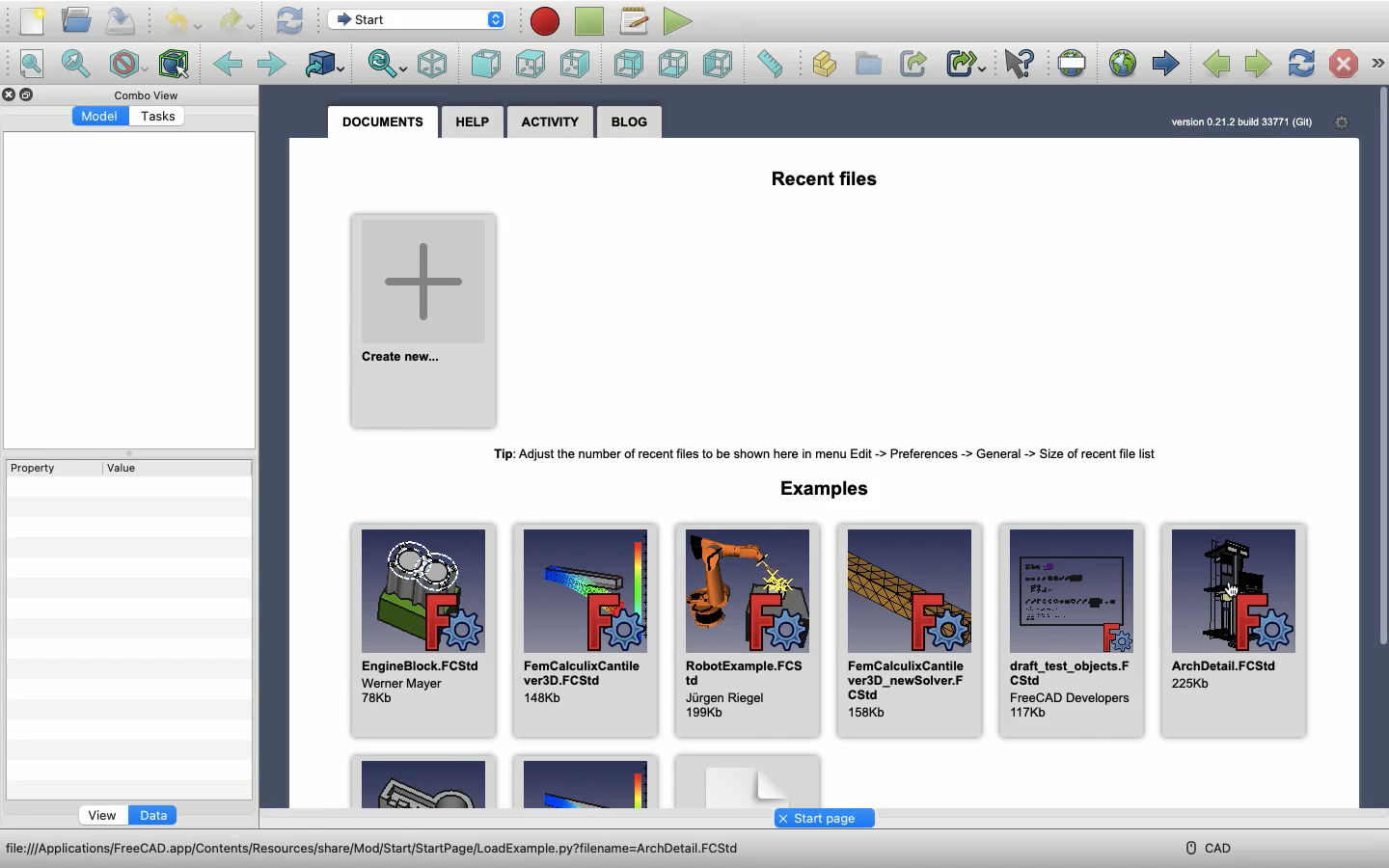 This screenshot has height=868, width=1389. I want to click on Stop loading, so click(1343, 64).